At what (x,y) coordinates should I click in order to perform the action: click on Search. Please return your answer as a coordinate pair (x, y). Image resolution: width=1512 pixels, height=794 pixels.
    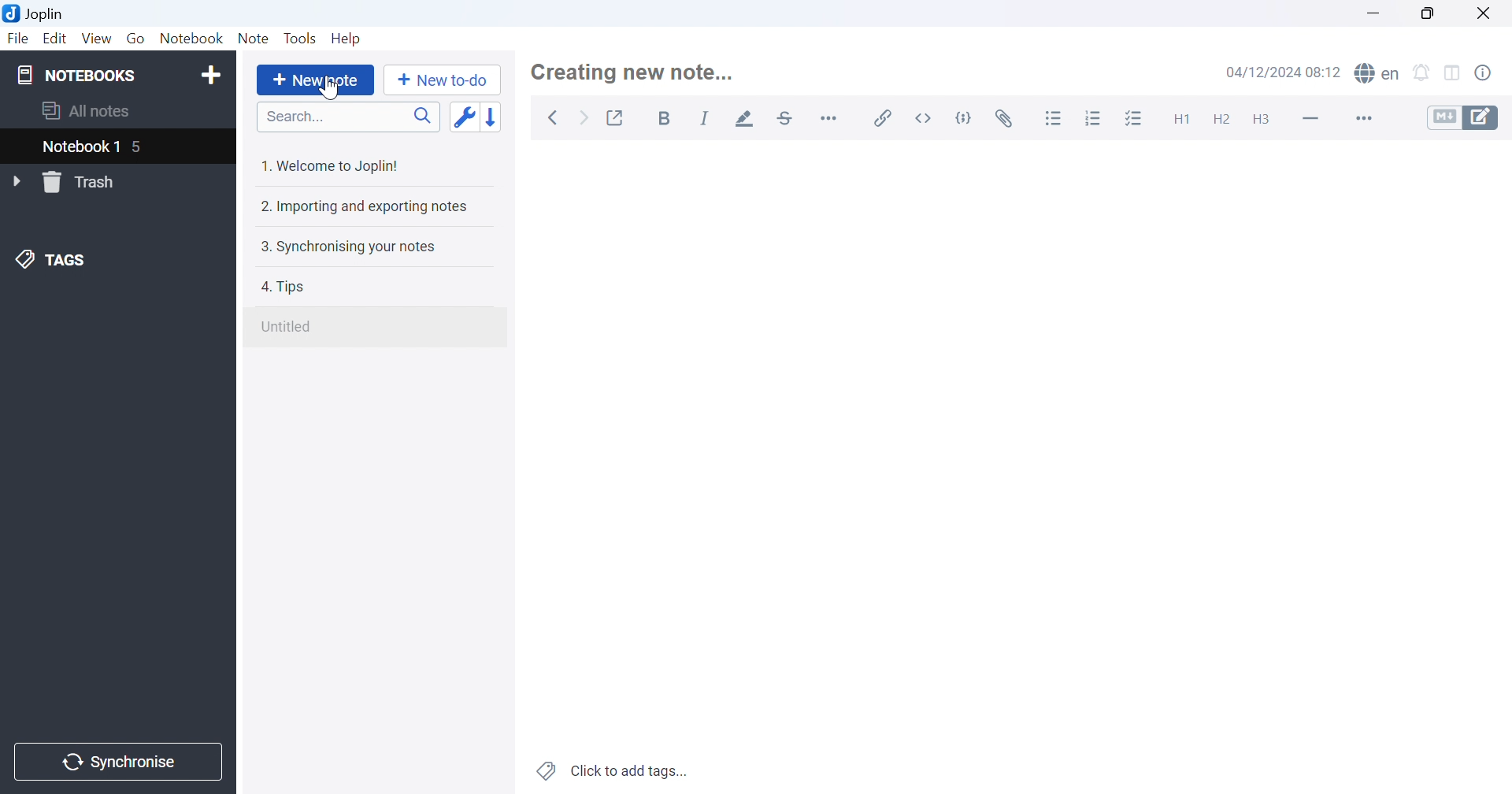
    Looking at the image, I should click on (348, 117).